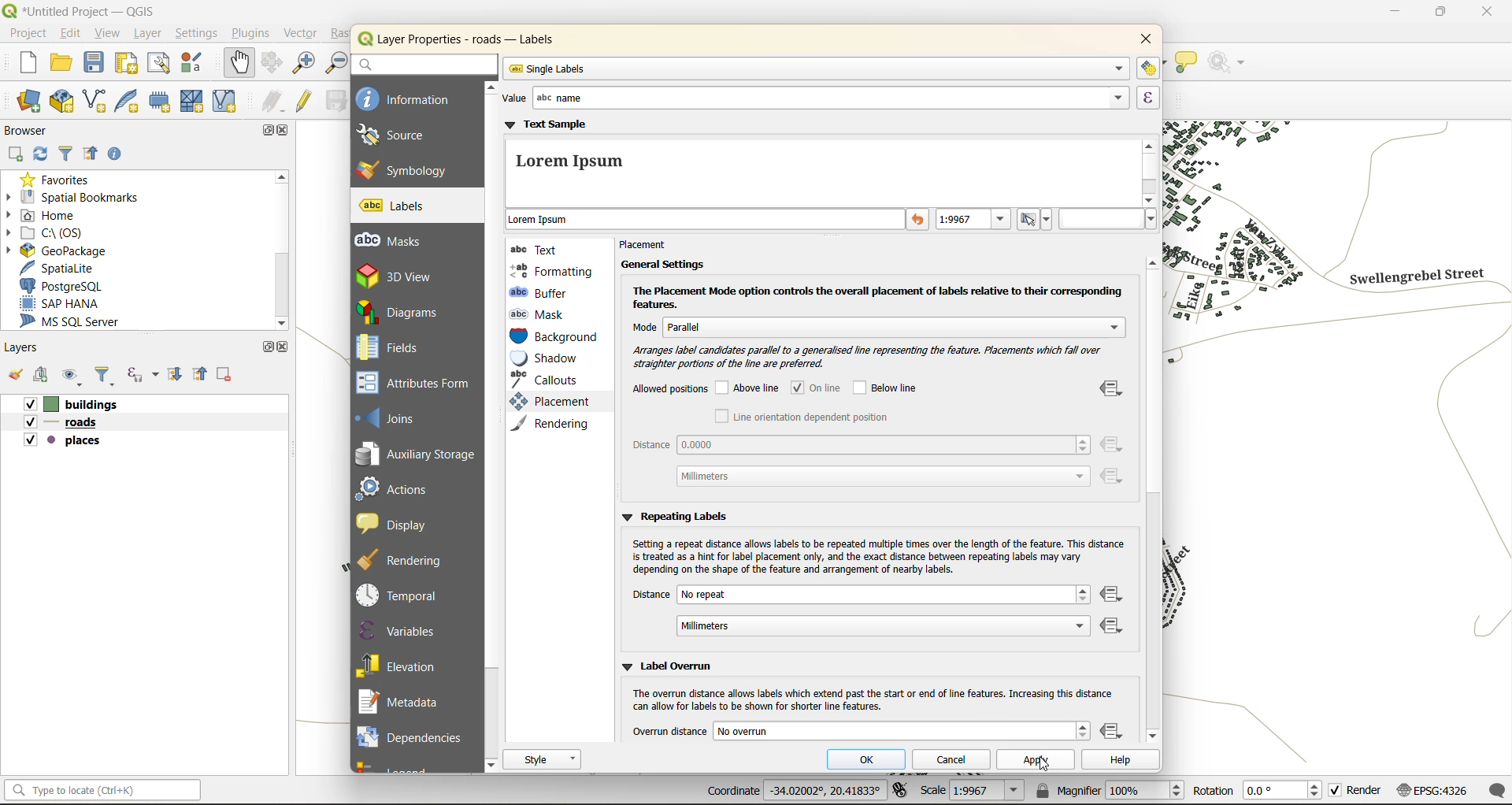 Image resolution: width=1512 pixels, height=805 pixels. Describe the element at coordinates (63, 441) in the screenshot. I see `places layer` at that location.